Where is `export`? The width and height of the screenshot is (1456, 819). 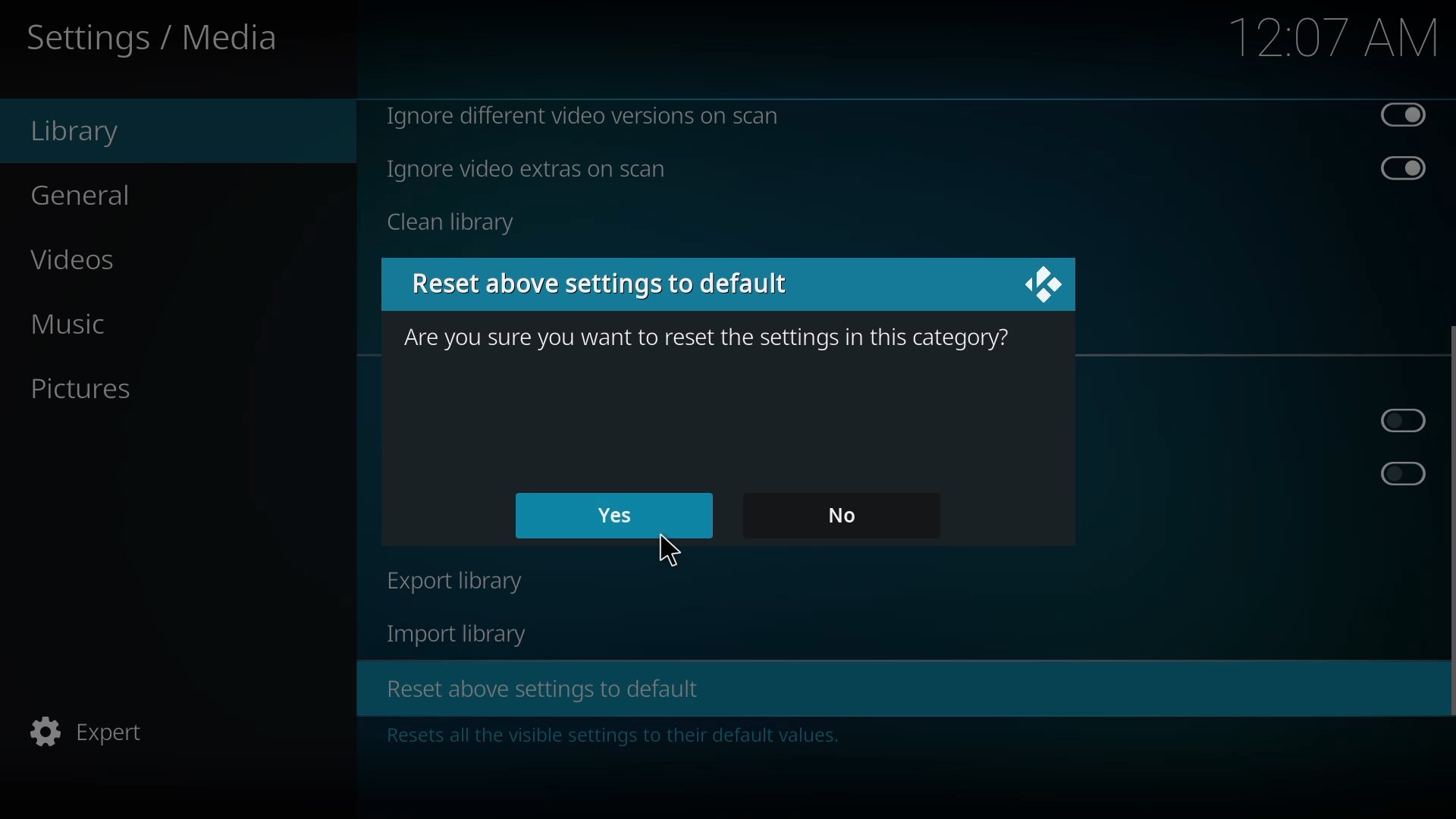
export is located at coordinates (455, 582).